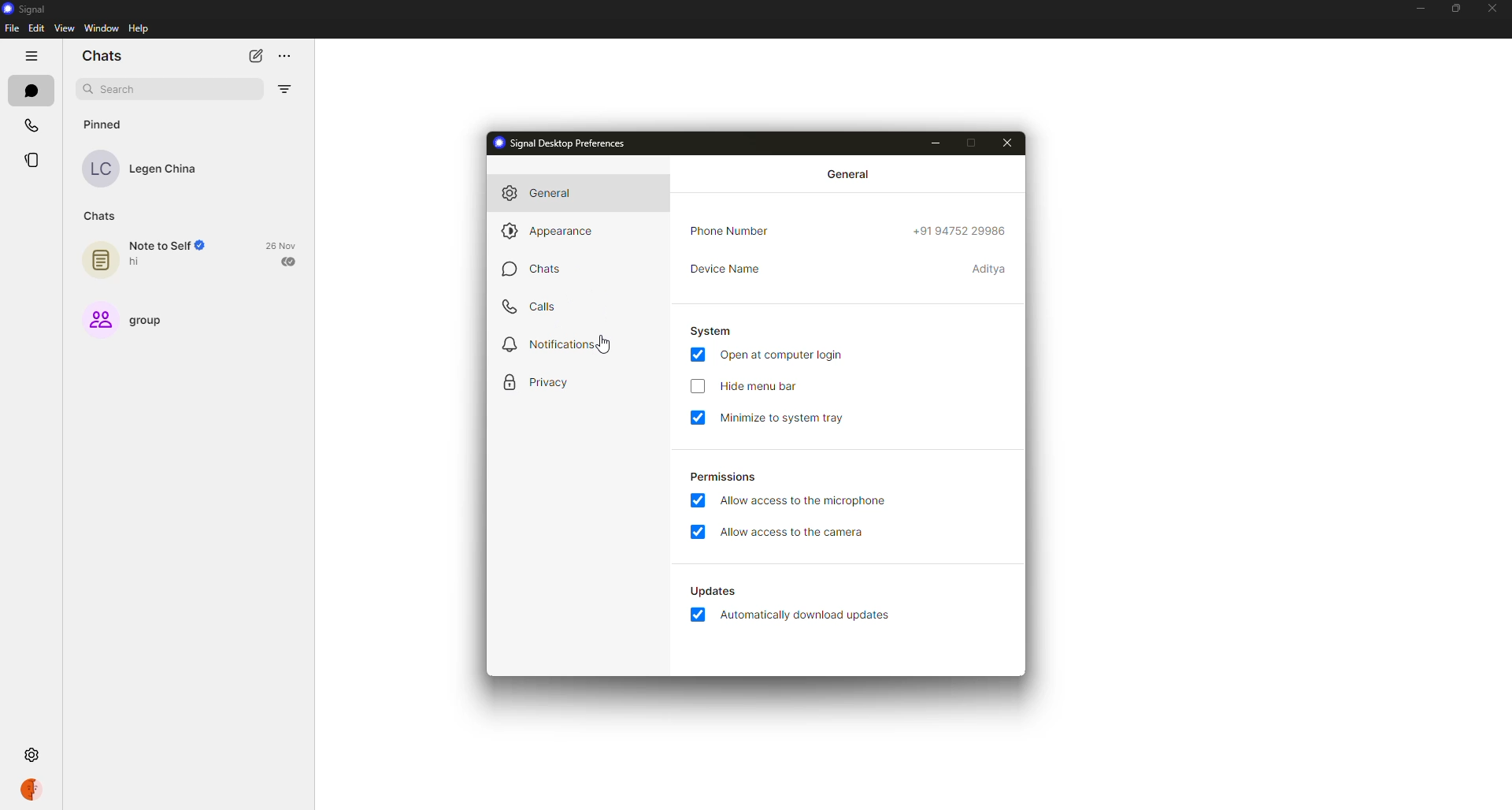 The width and height of the screenshot is (1512, 810). I want to click on allow access to camera, so click(797, 533).